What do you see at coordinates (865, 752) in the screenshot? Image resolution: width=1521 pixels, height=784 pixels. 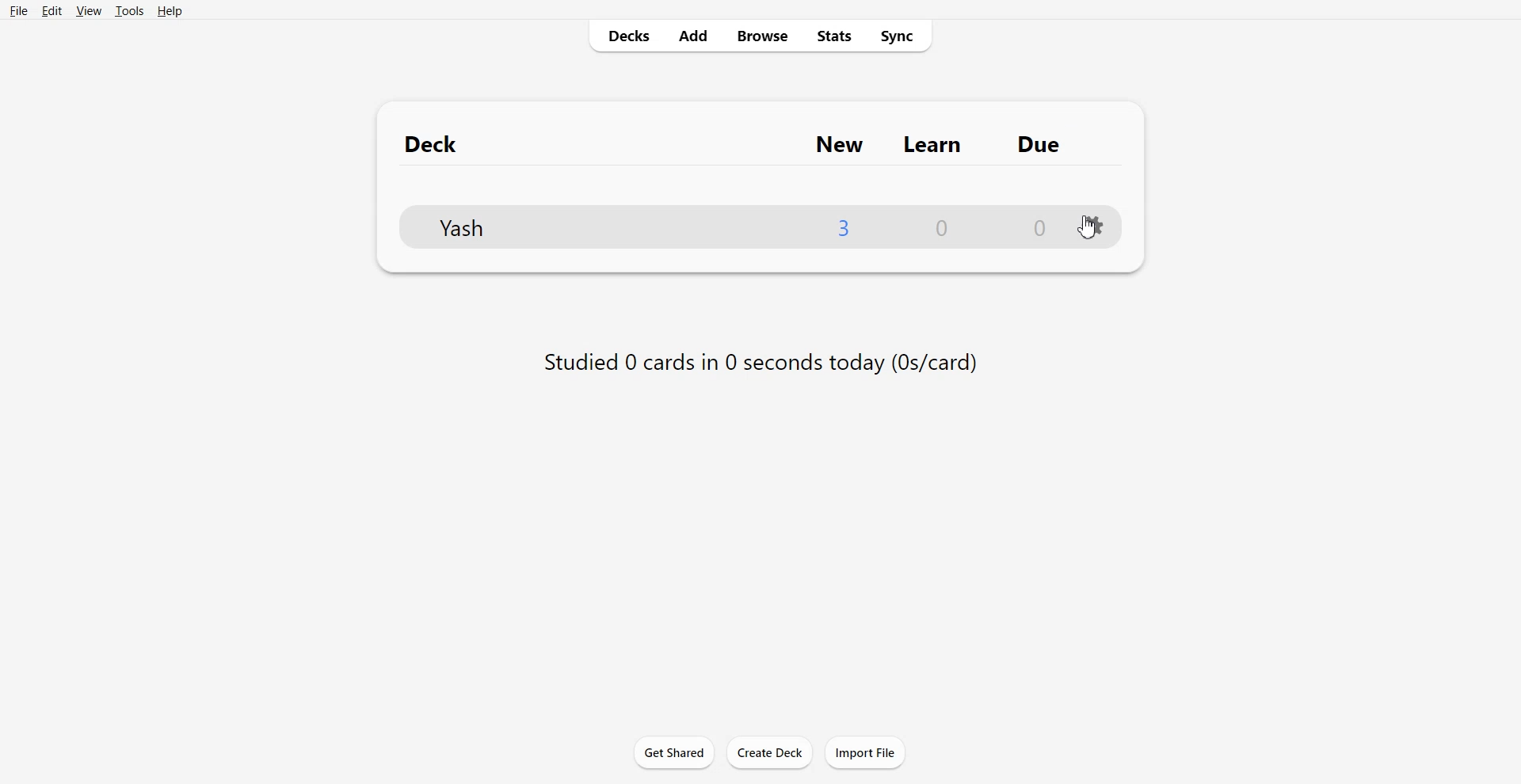 I see `Import File` at bounding box center [865, 752].